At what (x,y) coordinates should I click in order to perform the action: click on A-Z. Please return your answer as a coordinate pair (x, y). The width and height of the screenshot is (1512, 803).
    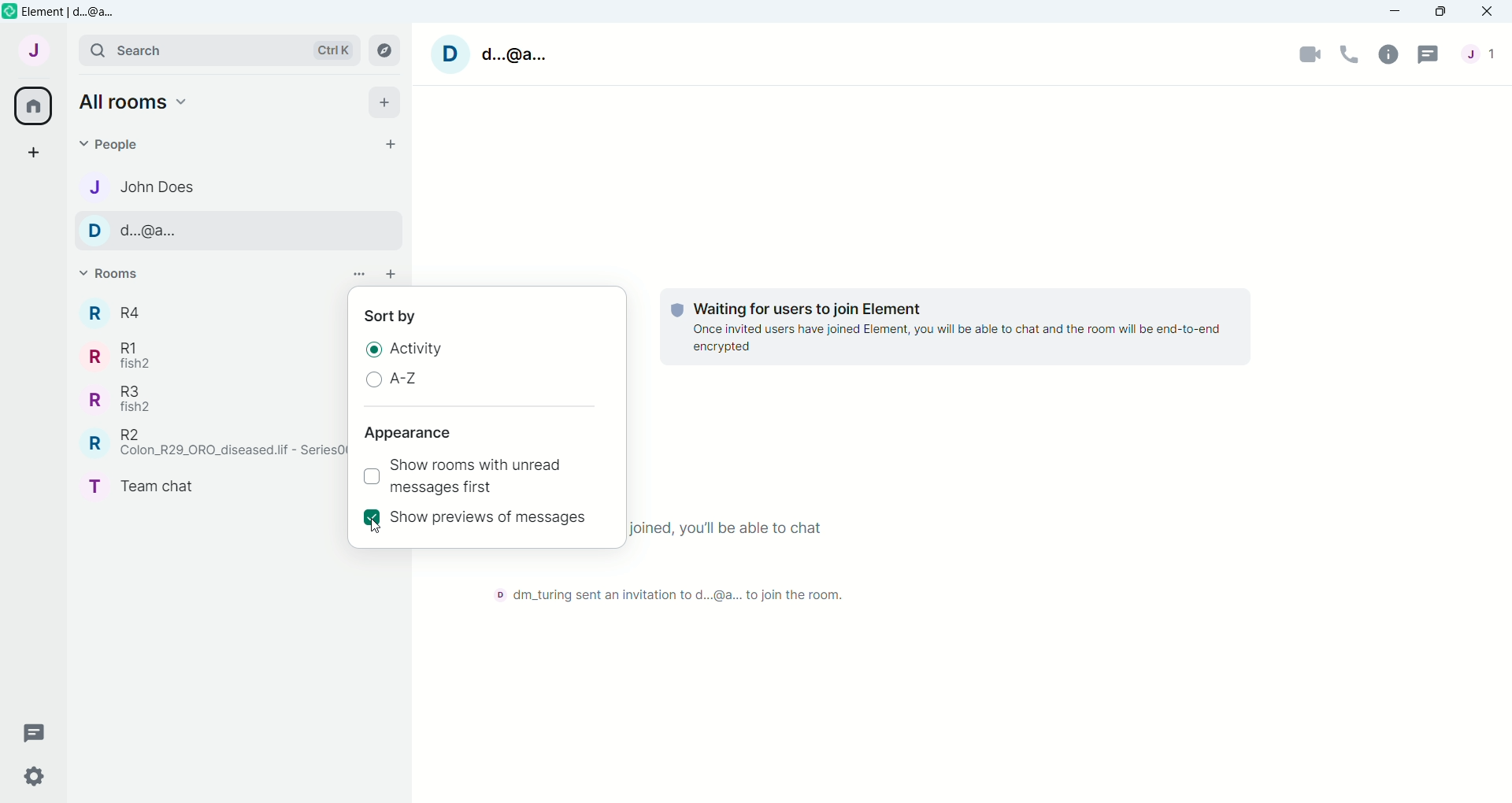
    Looking at the image, I should click on (408, 378).